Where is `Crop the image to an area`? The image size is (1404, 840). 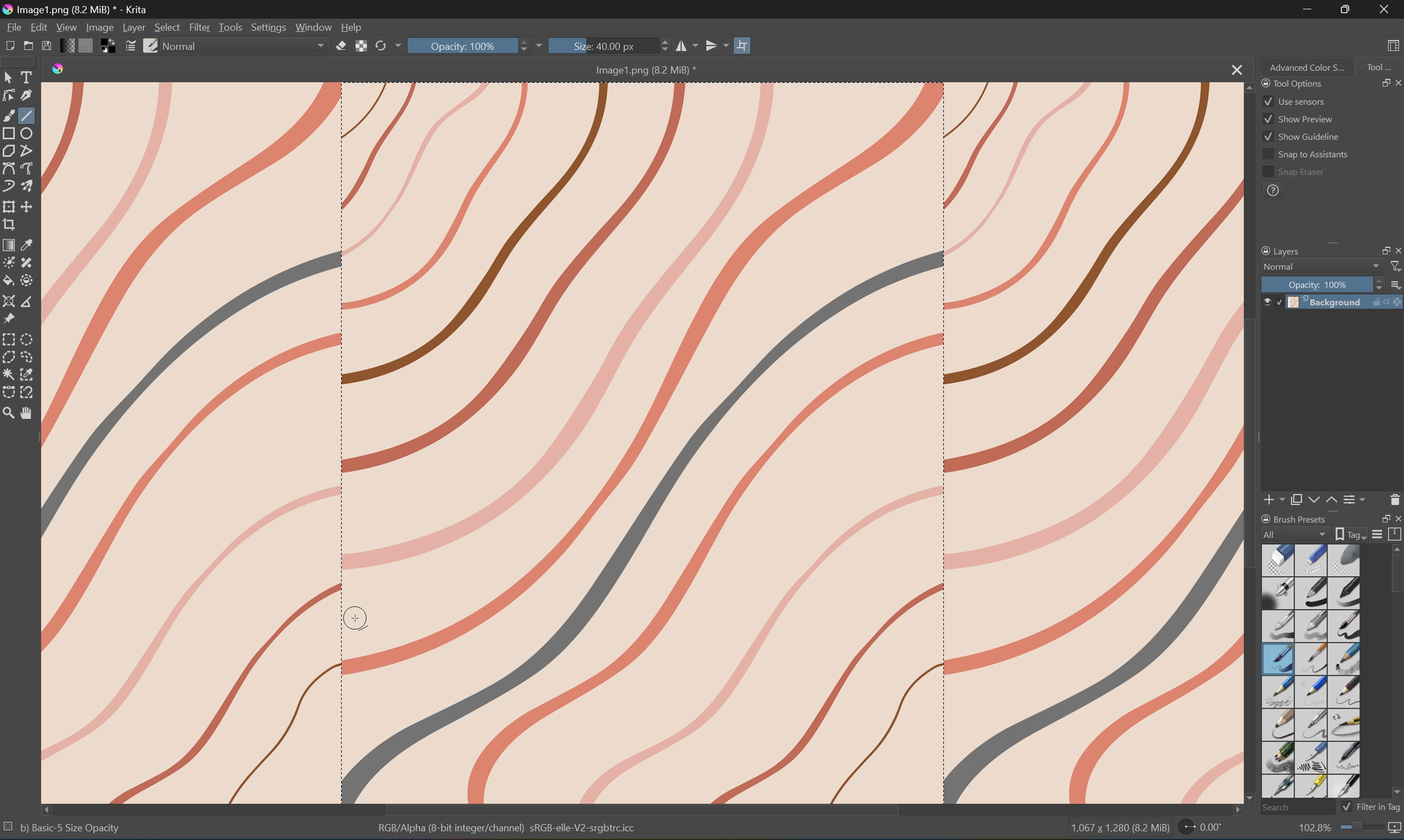
Crop the image to an area is located at coordinates (9, 225).